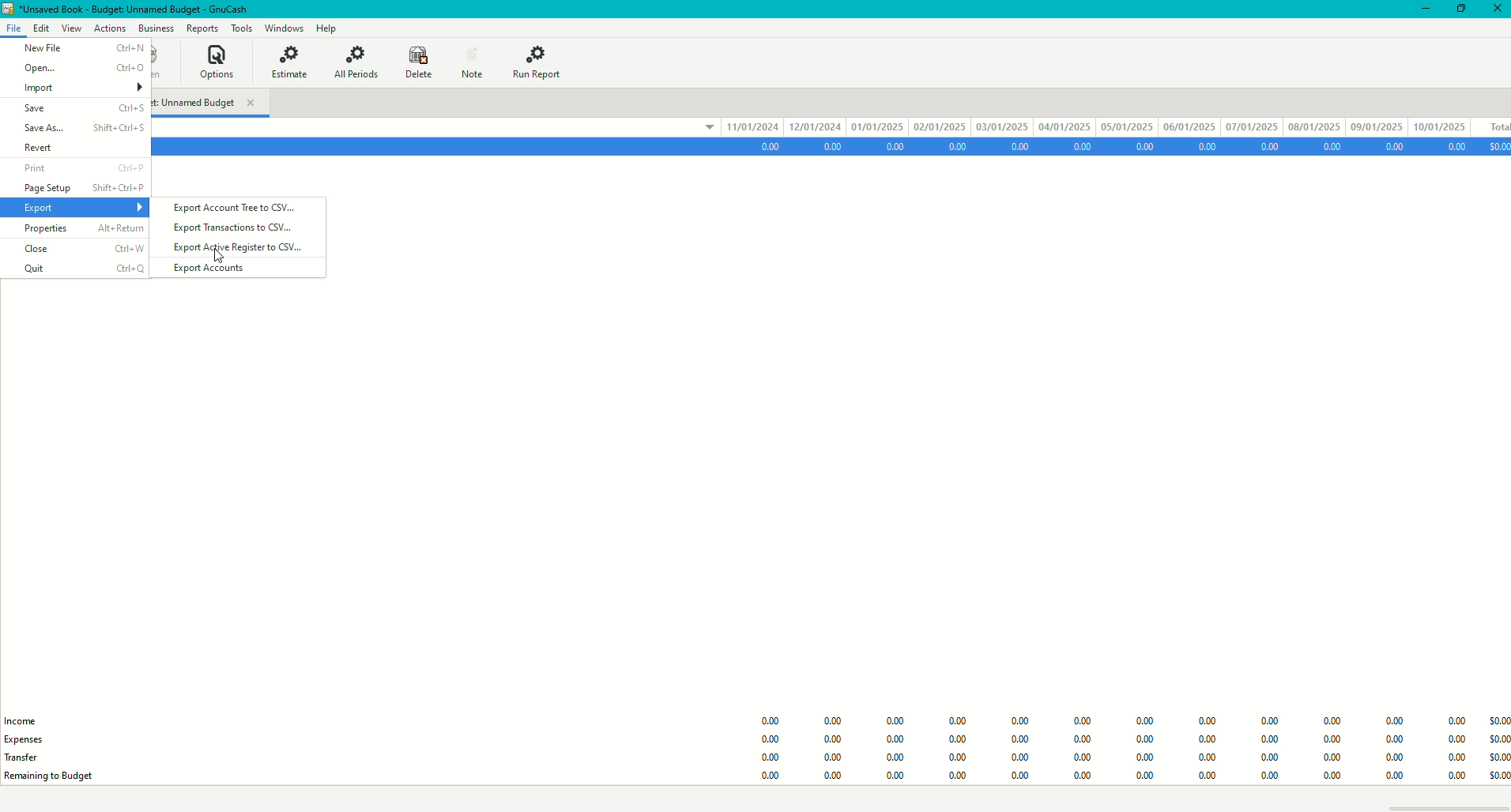  Describe the element at coordinates (214, 268) in the screenshot. I see `Export Accounts` at that location.